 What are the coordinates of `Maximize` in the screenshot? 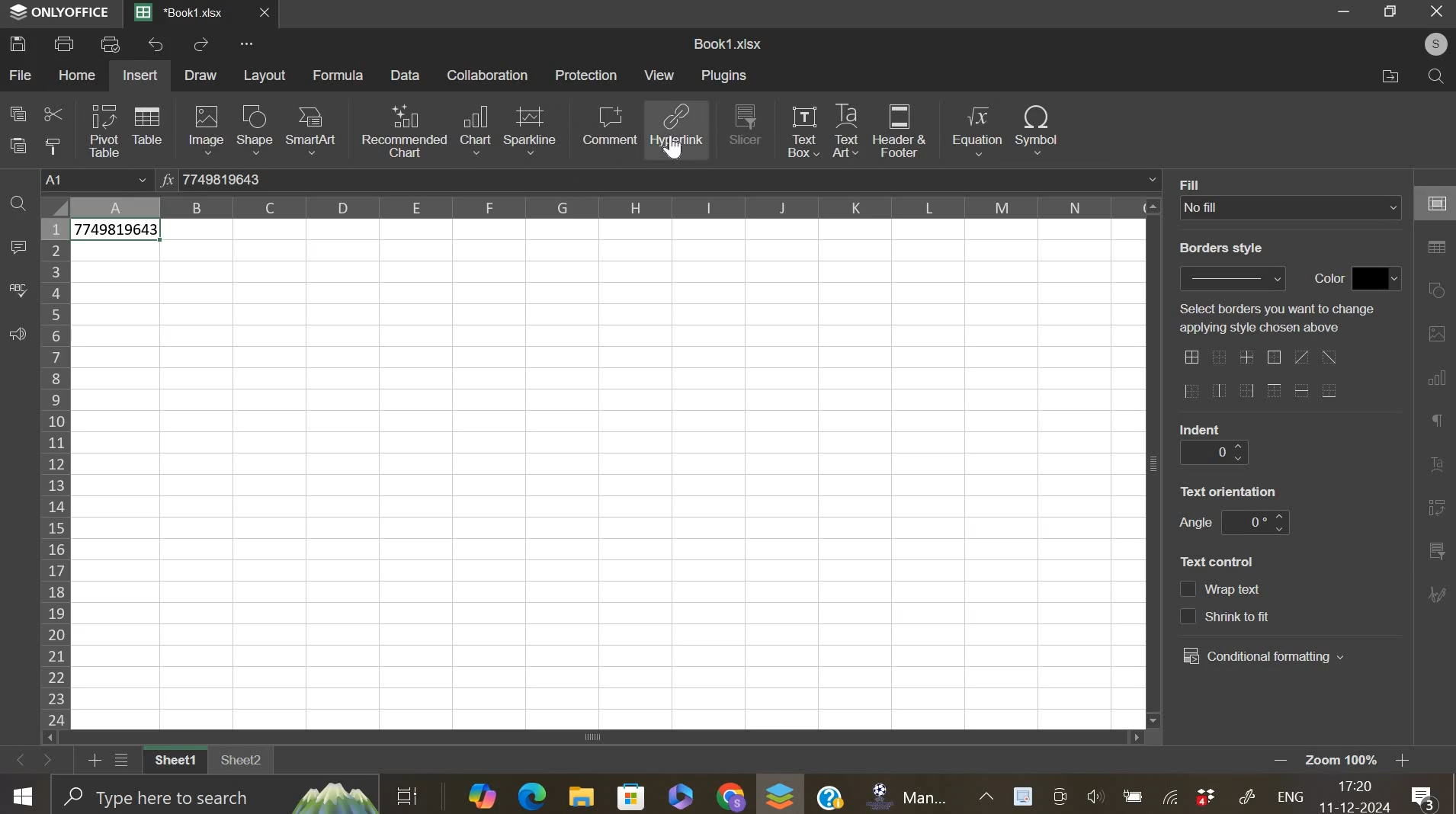 It's located at (1393, 11).